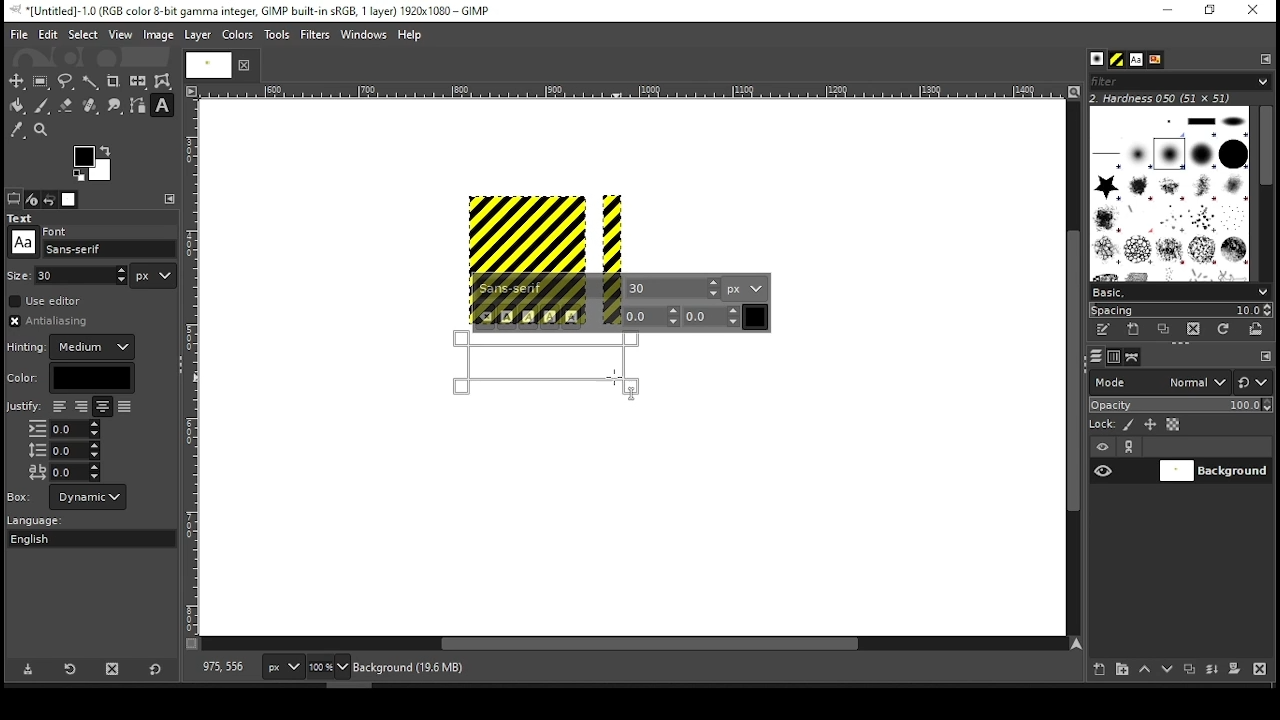  Describe the element at coordinates (252, 9) in the screenshot. I see `icon and filename` at that location.